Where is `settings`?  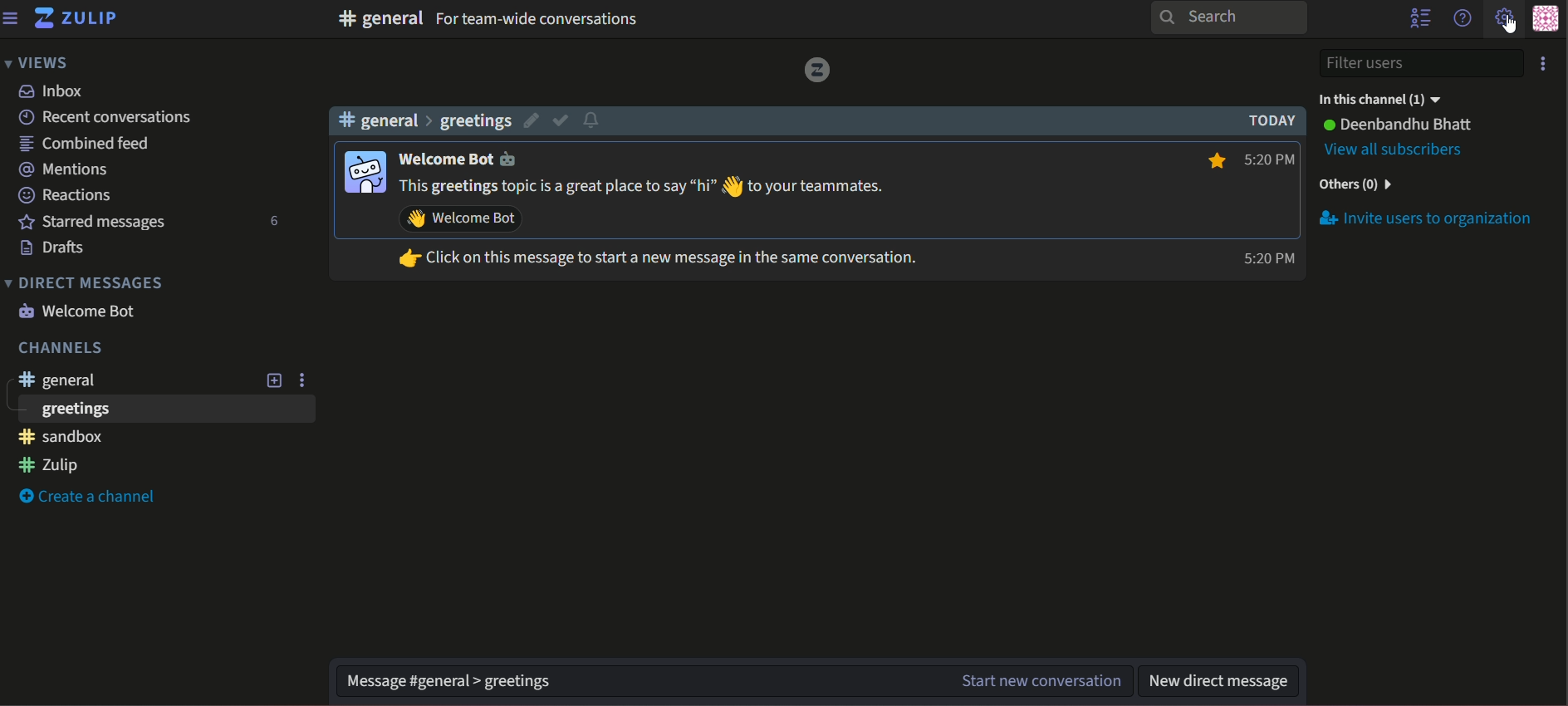 settings is located at coordinates (441, 671).